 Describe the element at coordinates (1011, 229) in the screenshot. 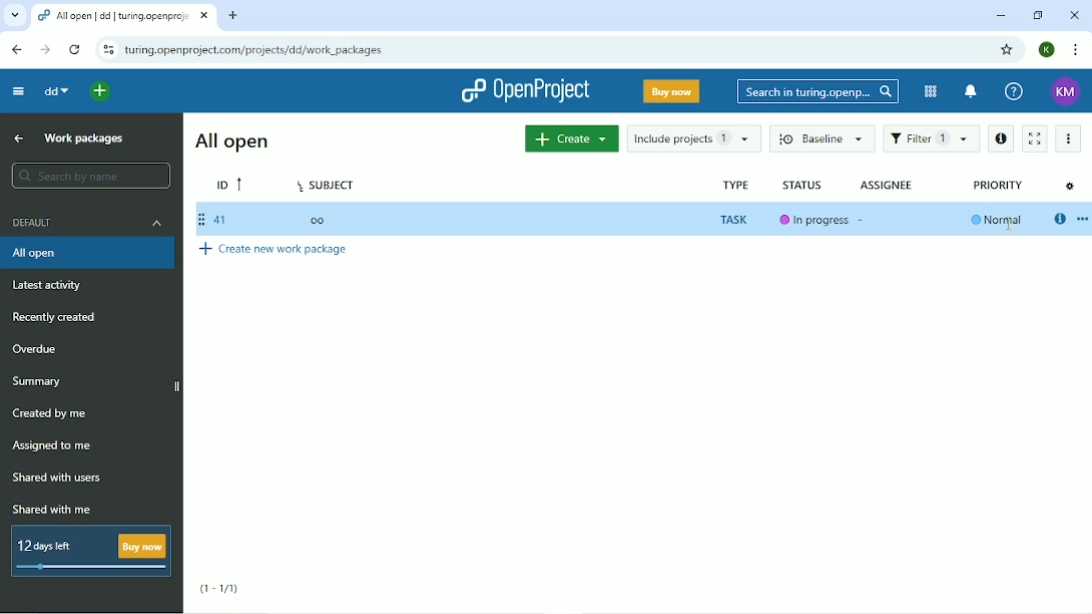

I see `cursor` at that location.